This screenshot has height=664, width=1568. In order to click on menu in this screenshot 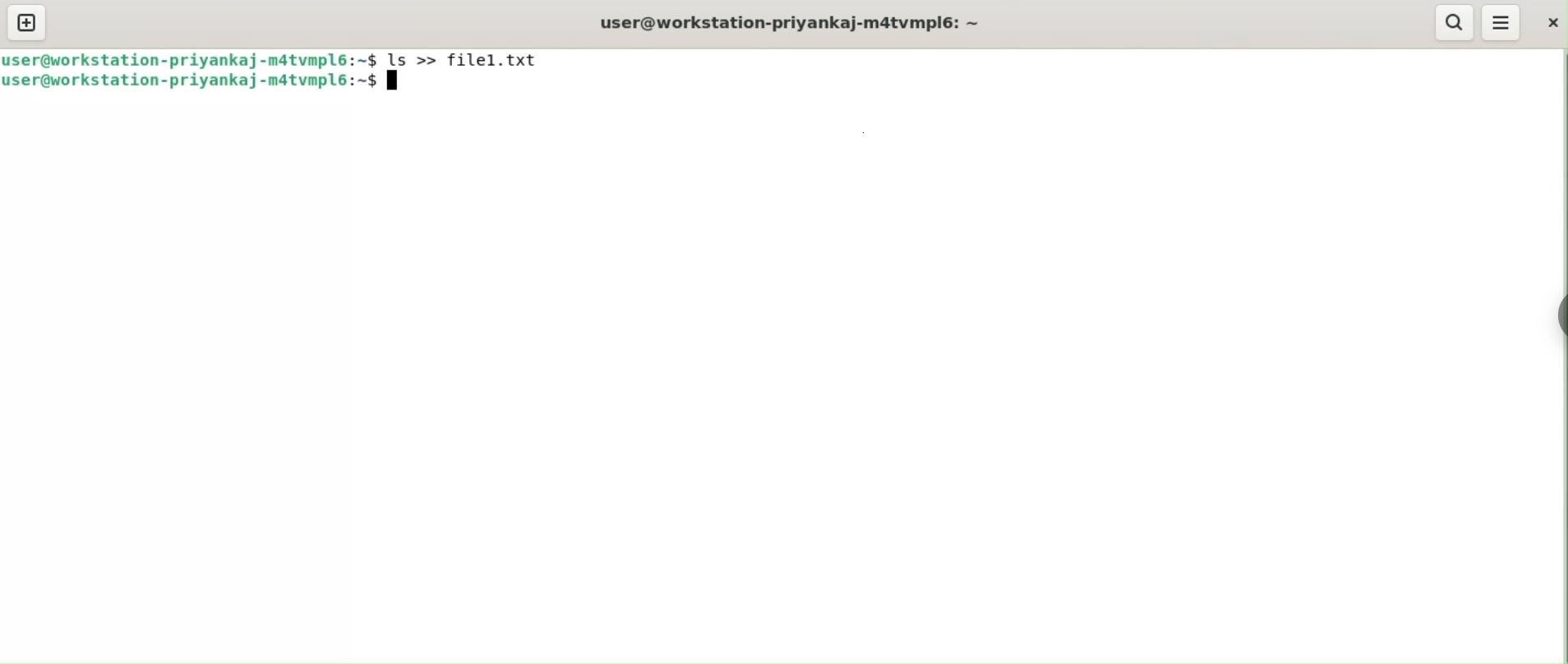, I will do `click(1501, 21)`.